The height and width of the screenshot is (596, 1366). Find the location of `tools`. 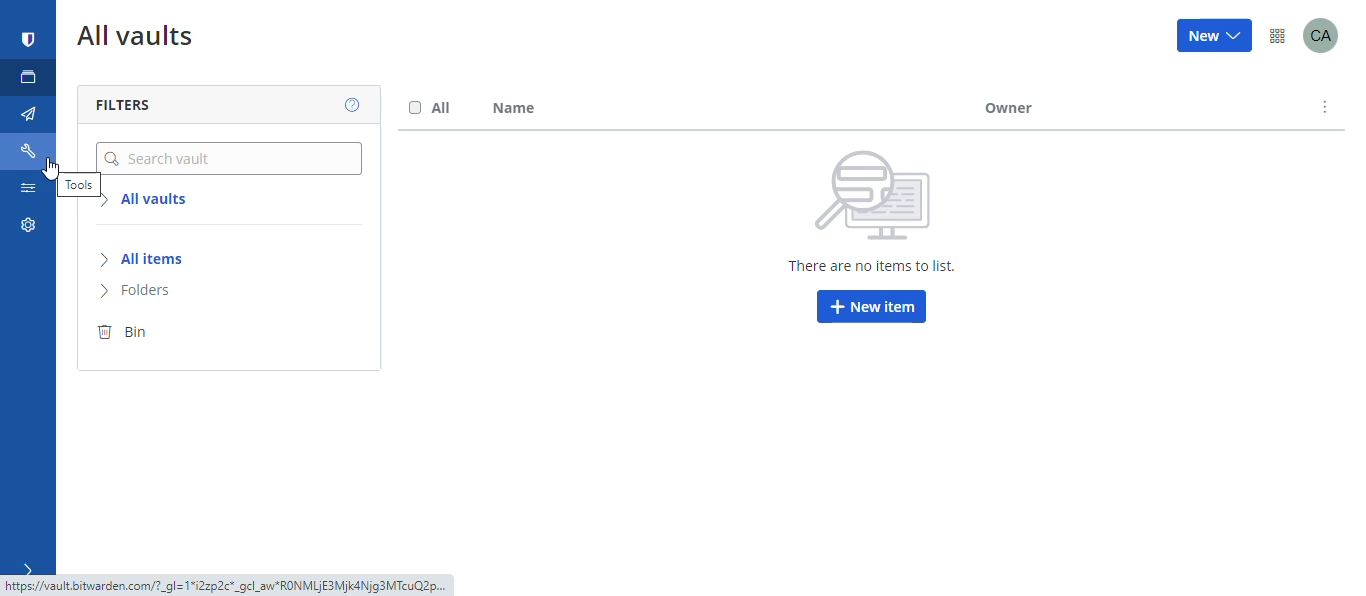

tools is located at coordinates (31, 151).